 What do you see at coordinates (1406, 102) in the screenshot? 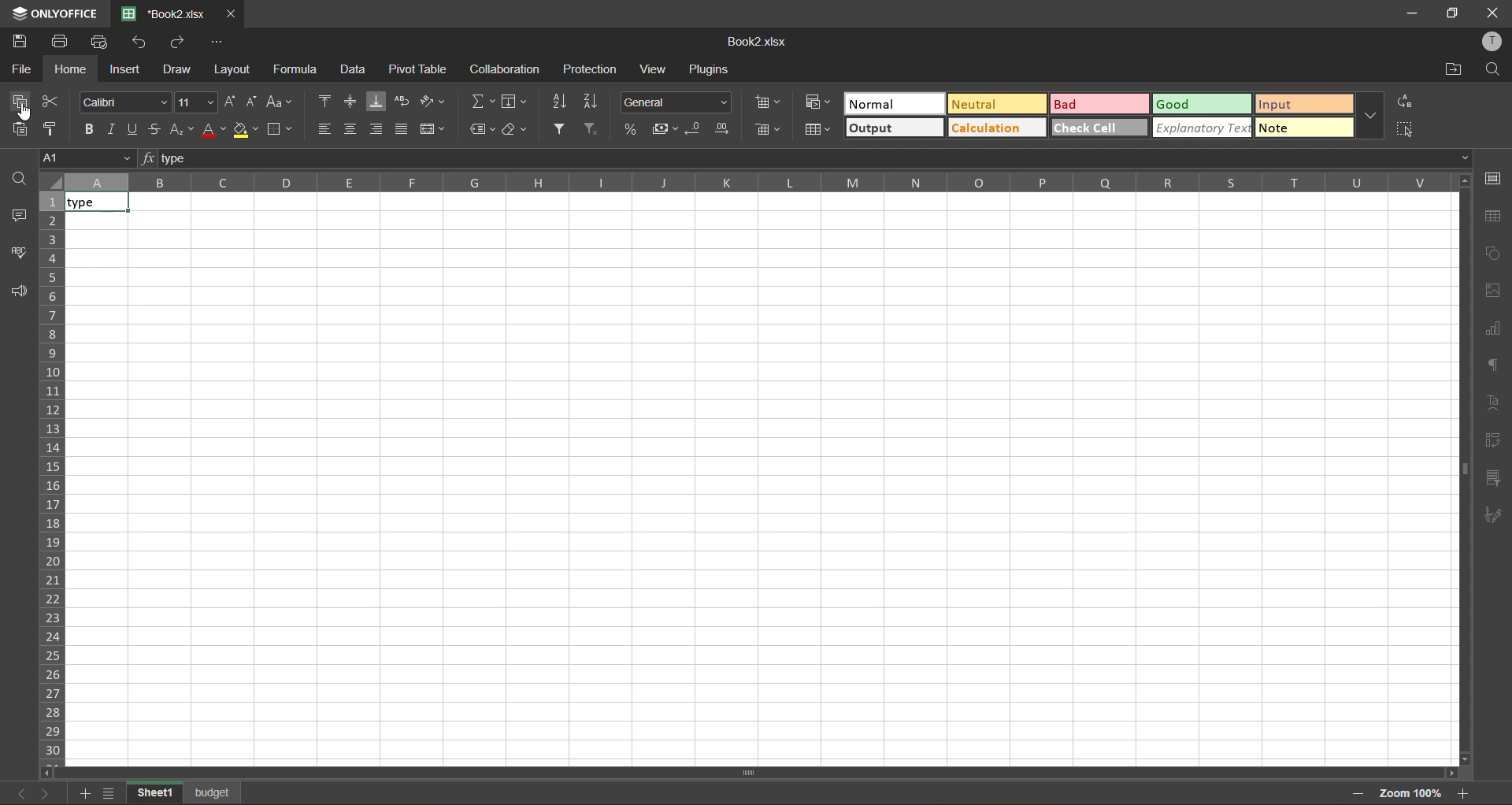
I see `replace` at bounding box center [1406, 102].